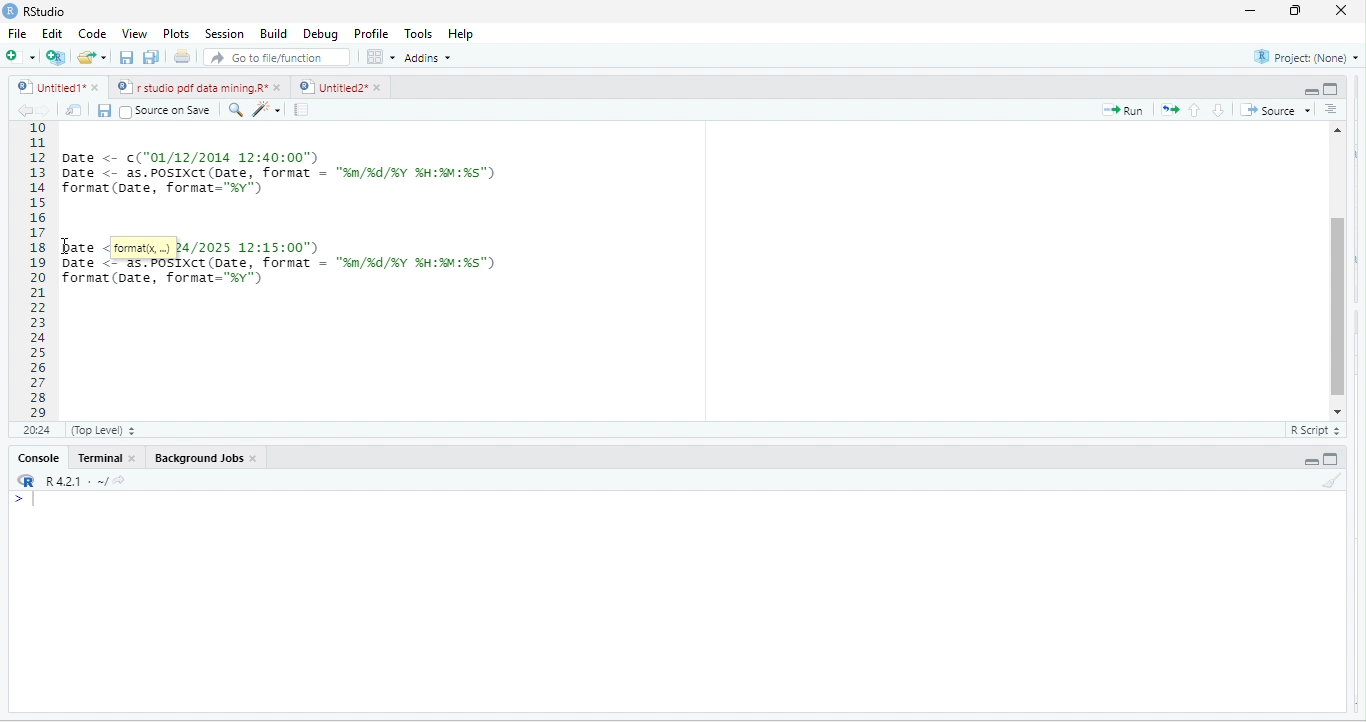 This screenshot has width=1366, height=722. What do you see at coordinates (416, 34) in the screenshot?
I see `Tools` at bounding box center [416, 34].